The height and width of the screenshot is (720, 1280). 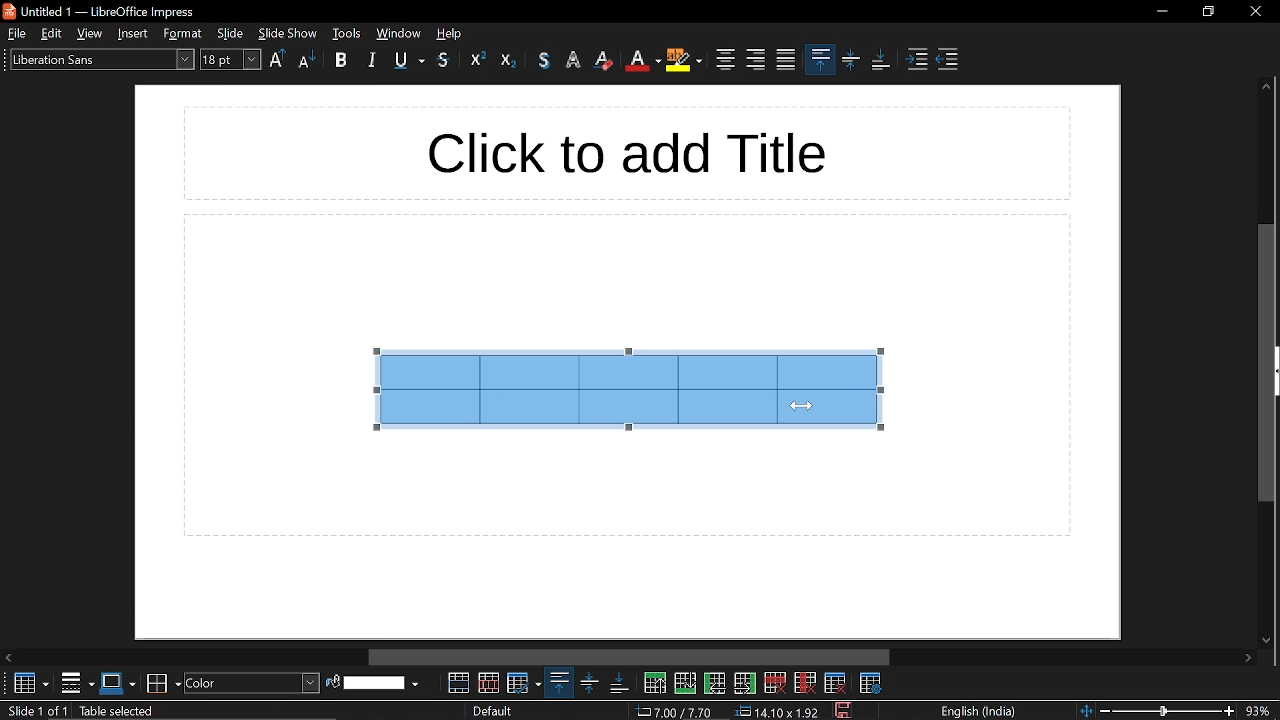 I want to click on Move left, so click(x=10, y=657).